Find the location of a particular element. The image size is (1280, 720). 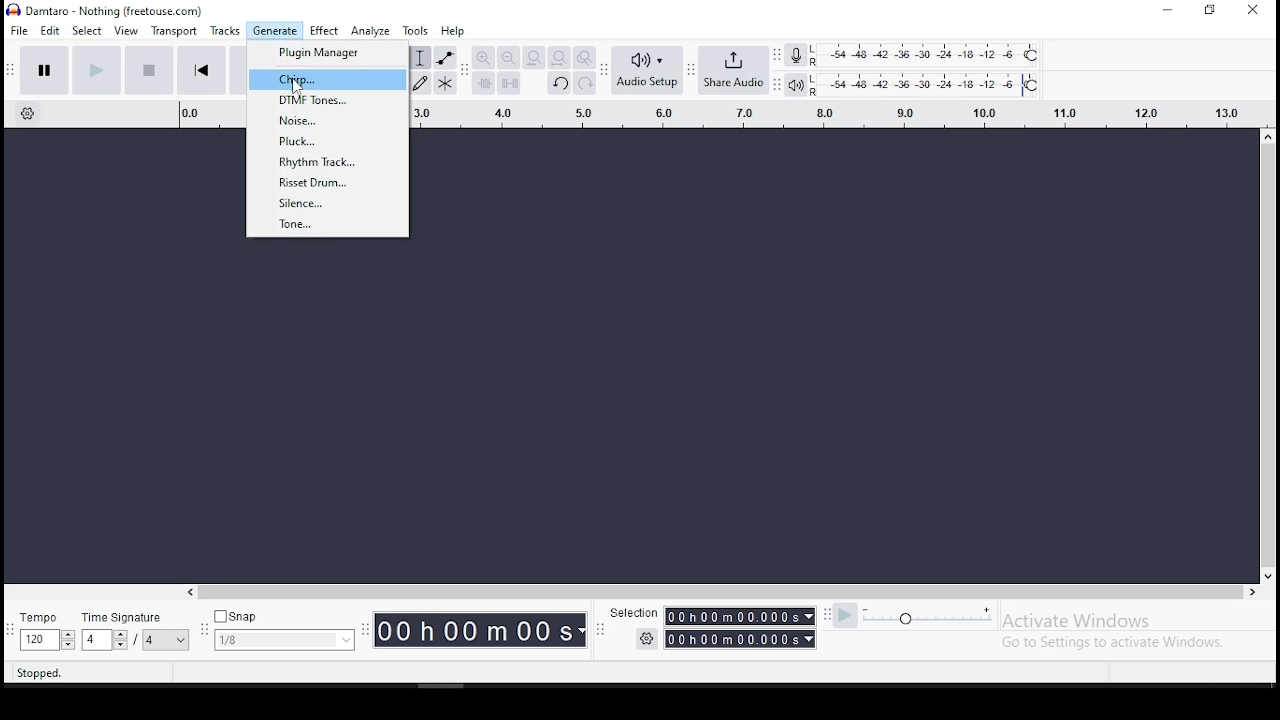

draw tool is located at coordinates (419, 83).